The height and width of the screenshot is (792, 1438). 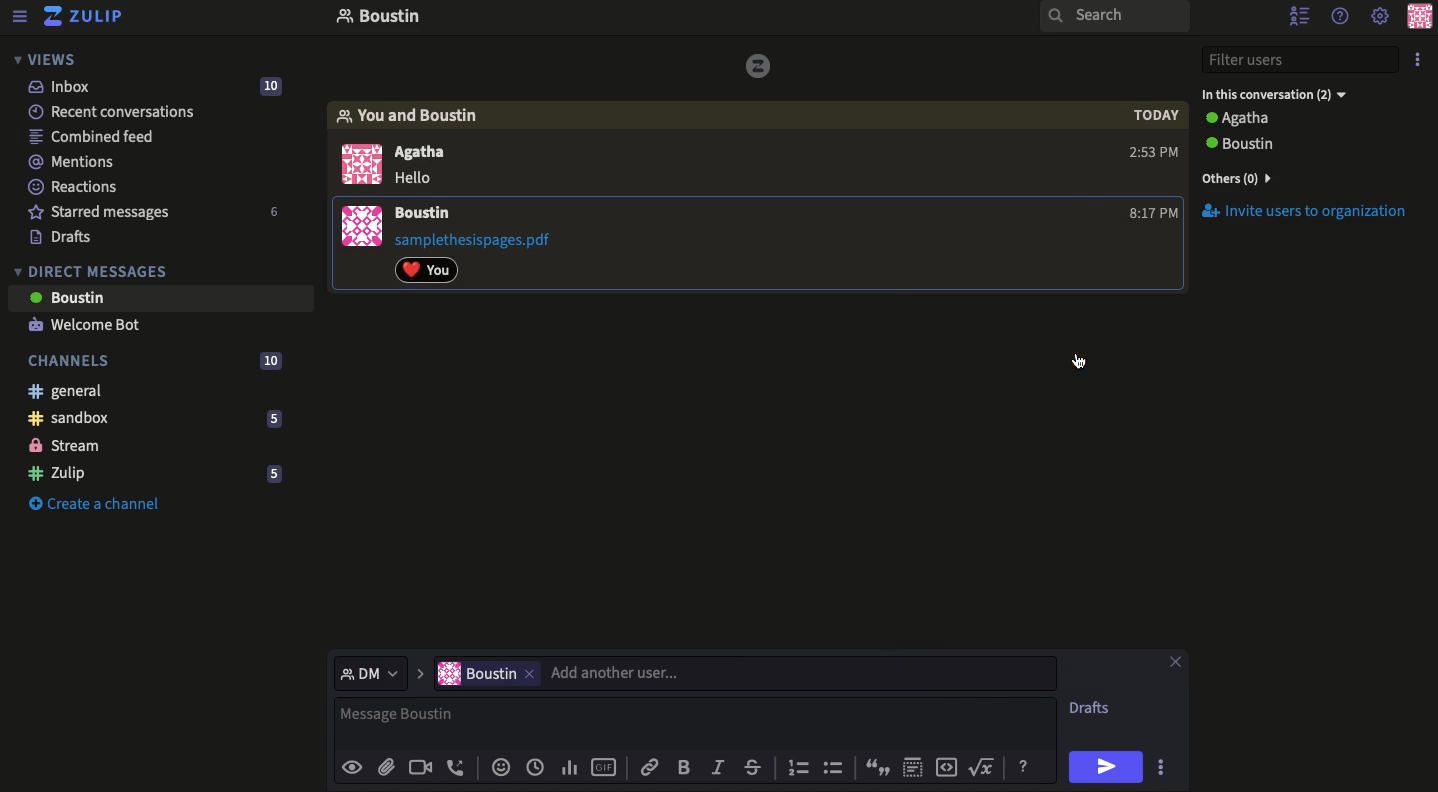 I want to click on boustin, so click(x=476, y=673).